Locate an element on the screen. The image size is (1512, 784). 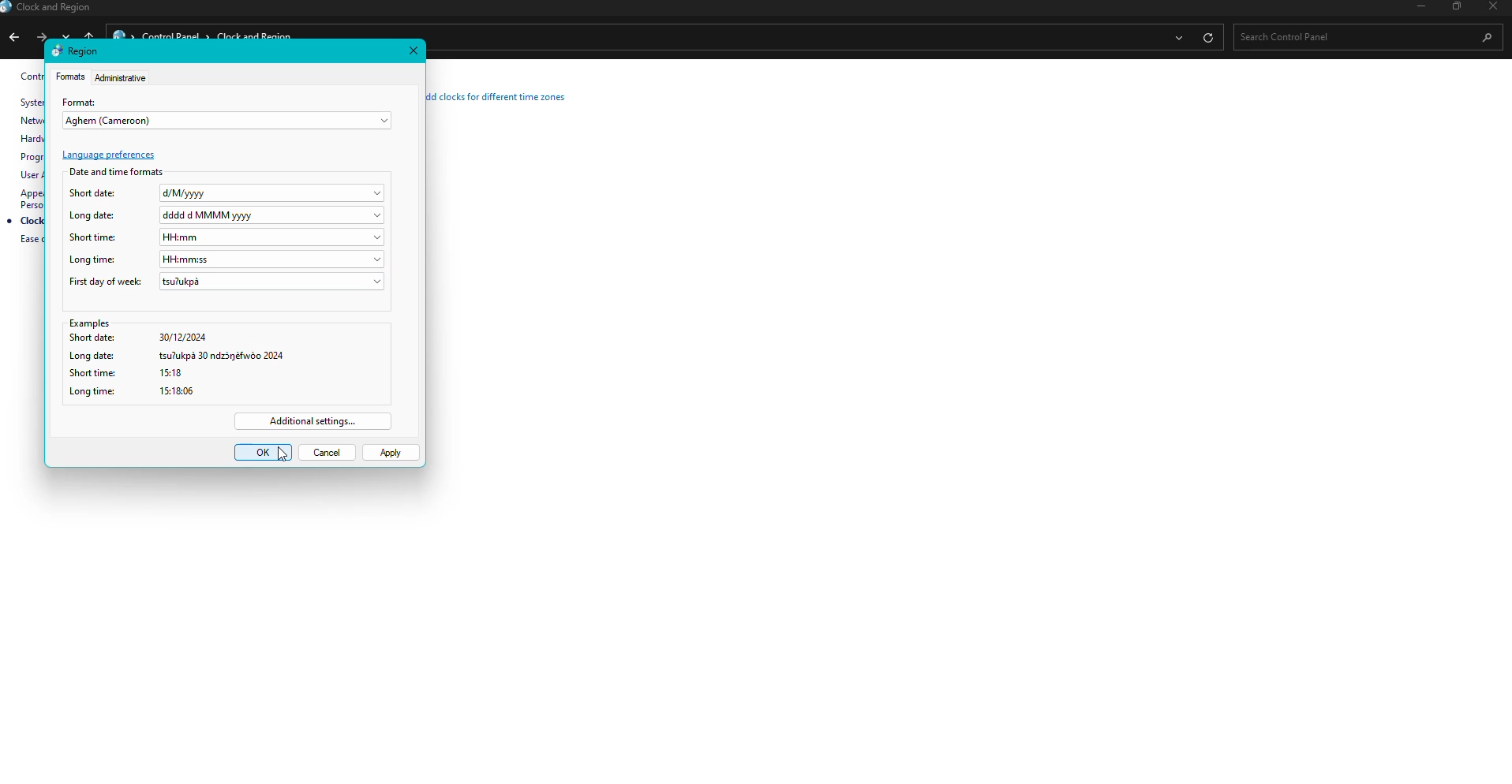
Region is located at coordinates (76, 50).